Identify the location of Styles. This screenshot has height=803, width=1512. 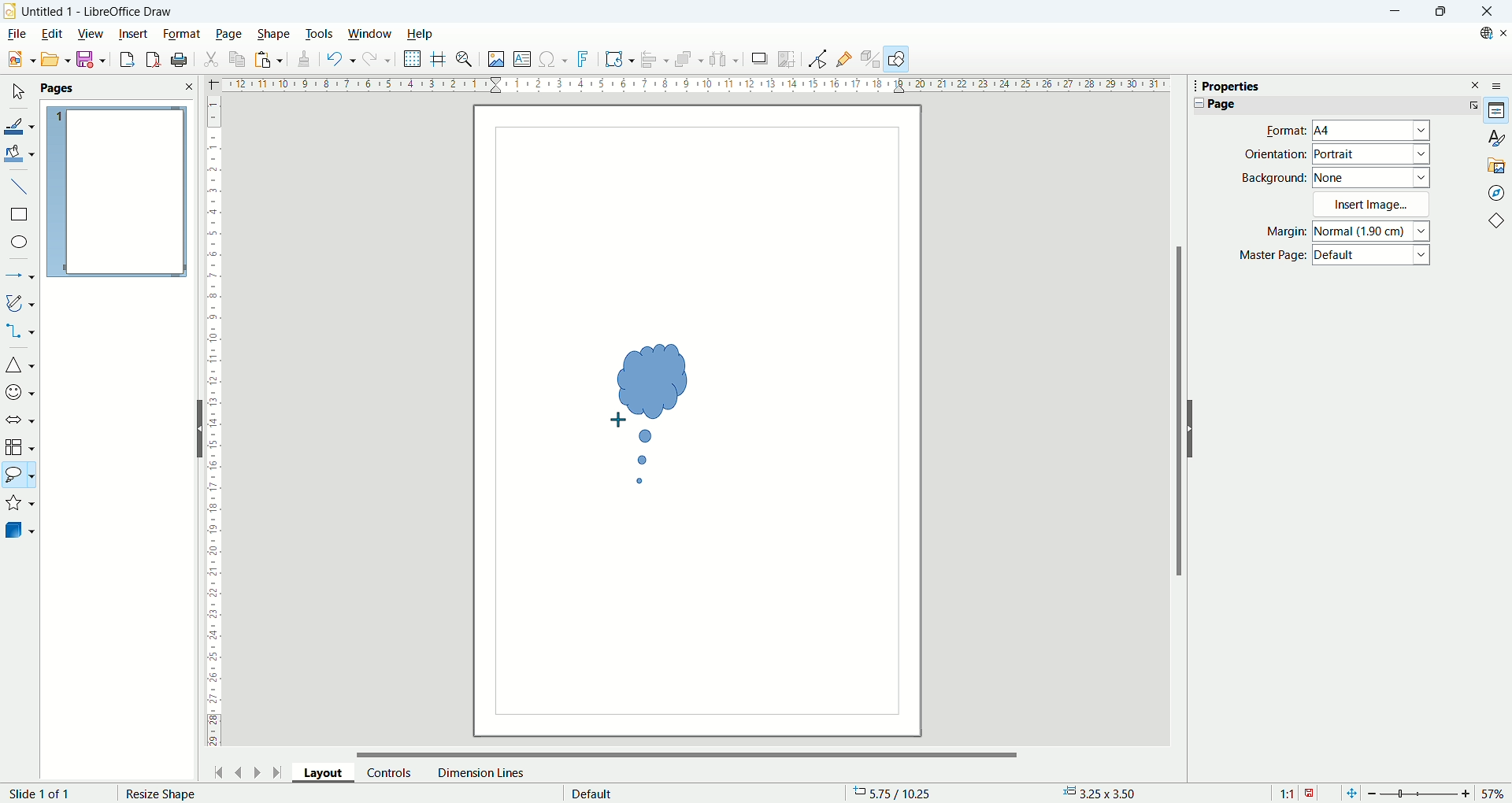
(1496, 138).